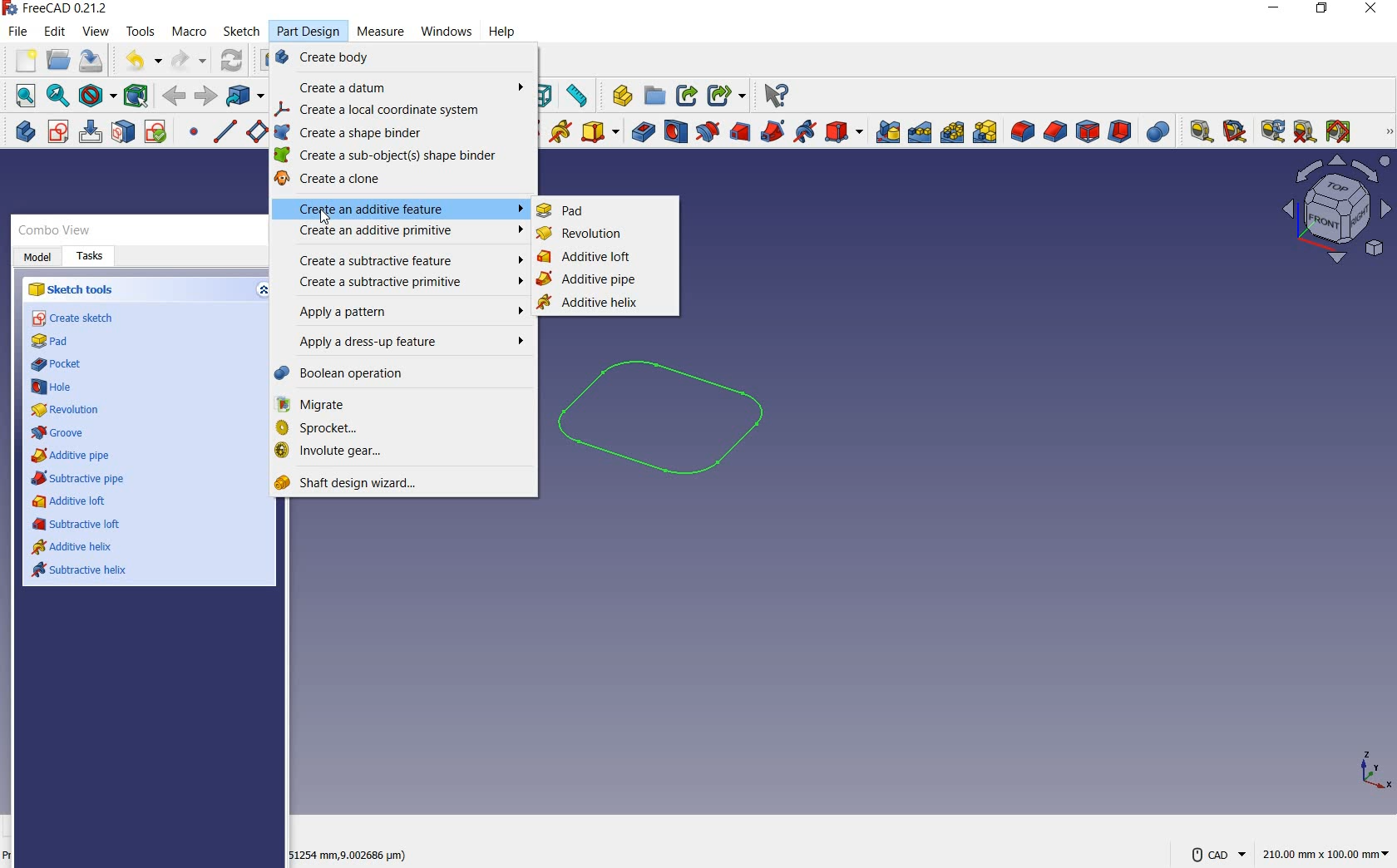 The image size is (1397, 868). What do you see at coordinates (398, 374) in the screenshot?
I see `Boolean operation` at bounding box center [398, 374].